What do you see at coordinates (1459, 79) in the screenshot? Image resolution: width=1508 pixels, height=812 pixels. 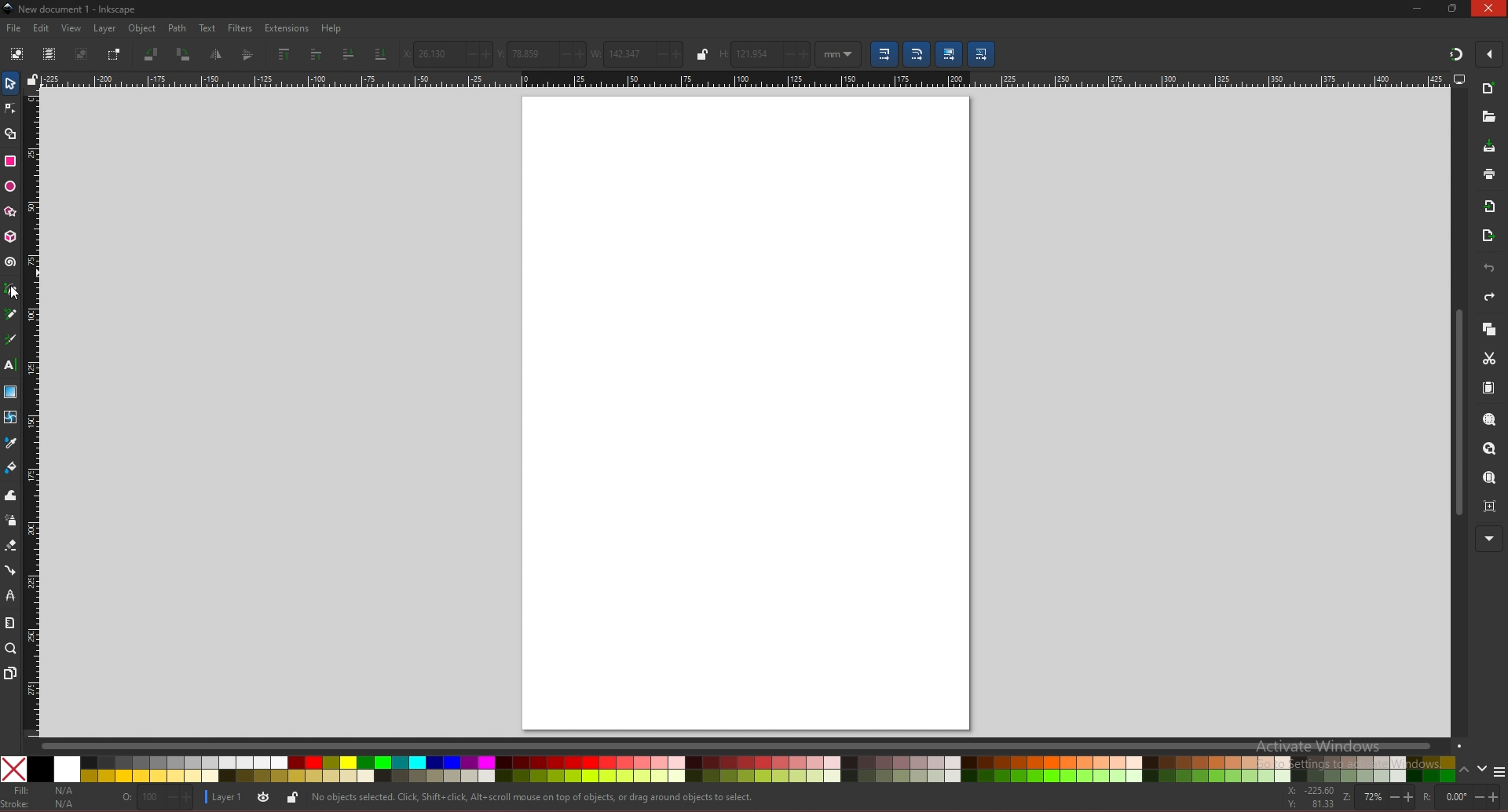 I see `display options` at bounding box center [1459, 79].